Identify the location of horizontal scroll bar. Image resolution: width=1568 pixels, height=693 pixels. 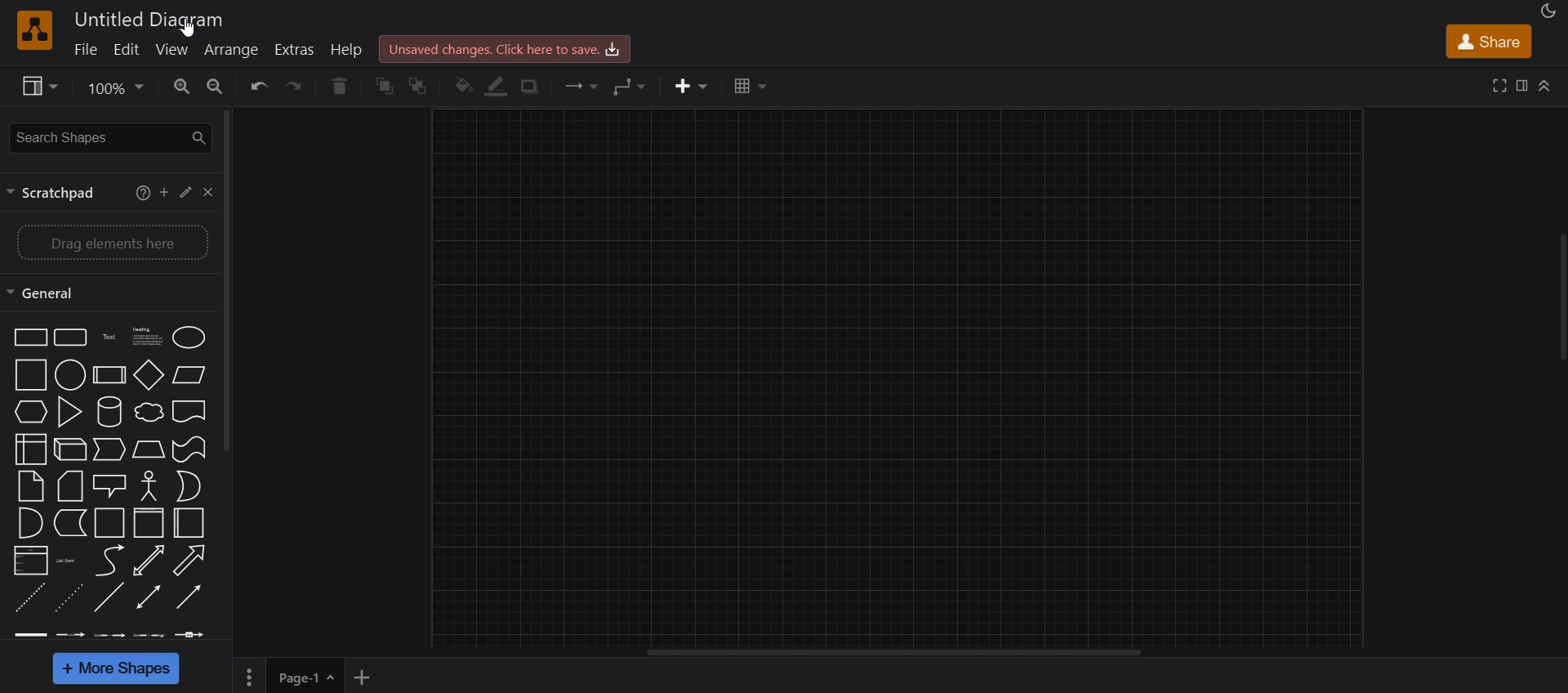
(893, 654).